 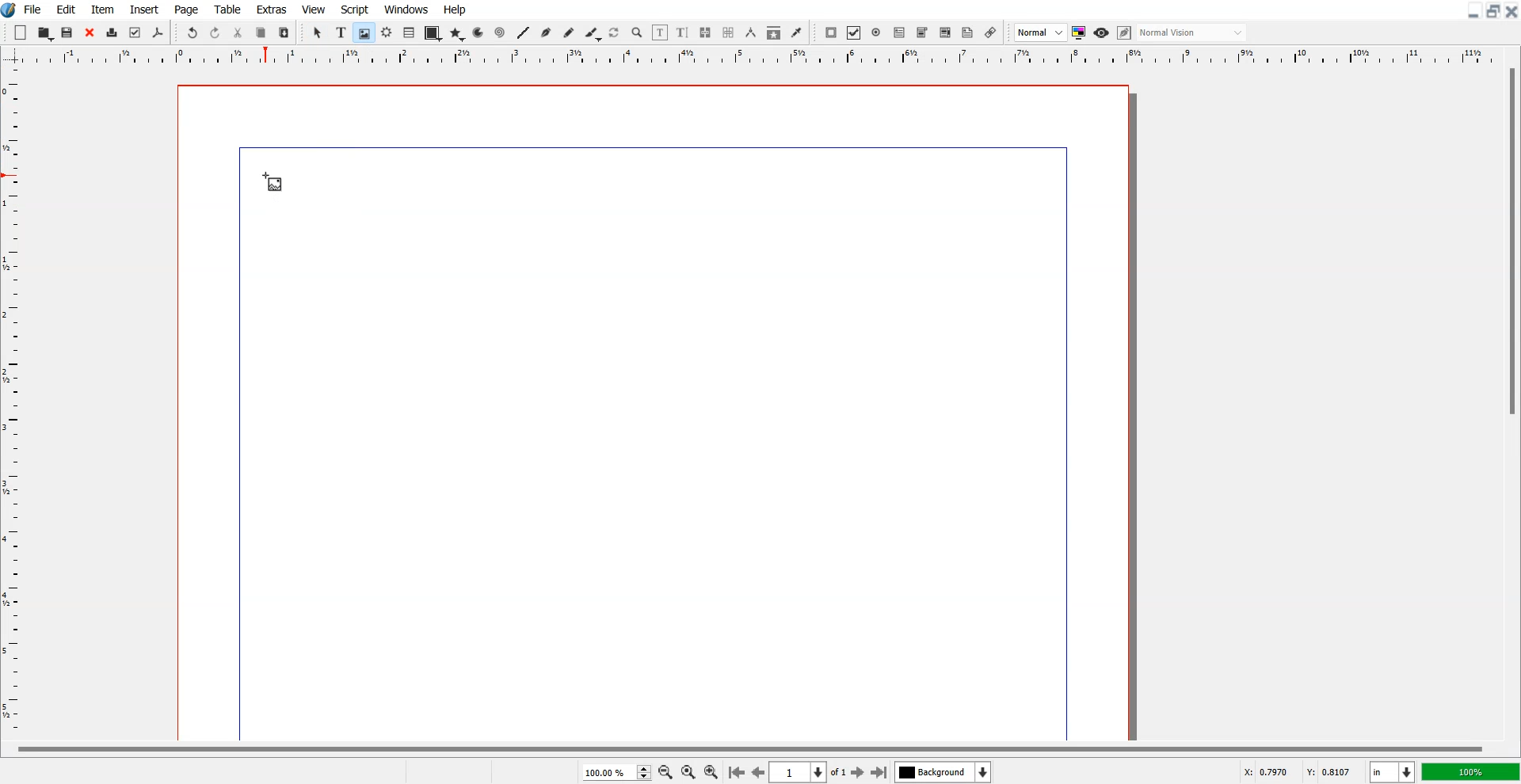 I want to click on Unlink Text frame, so click(x=729, y=32).